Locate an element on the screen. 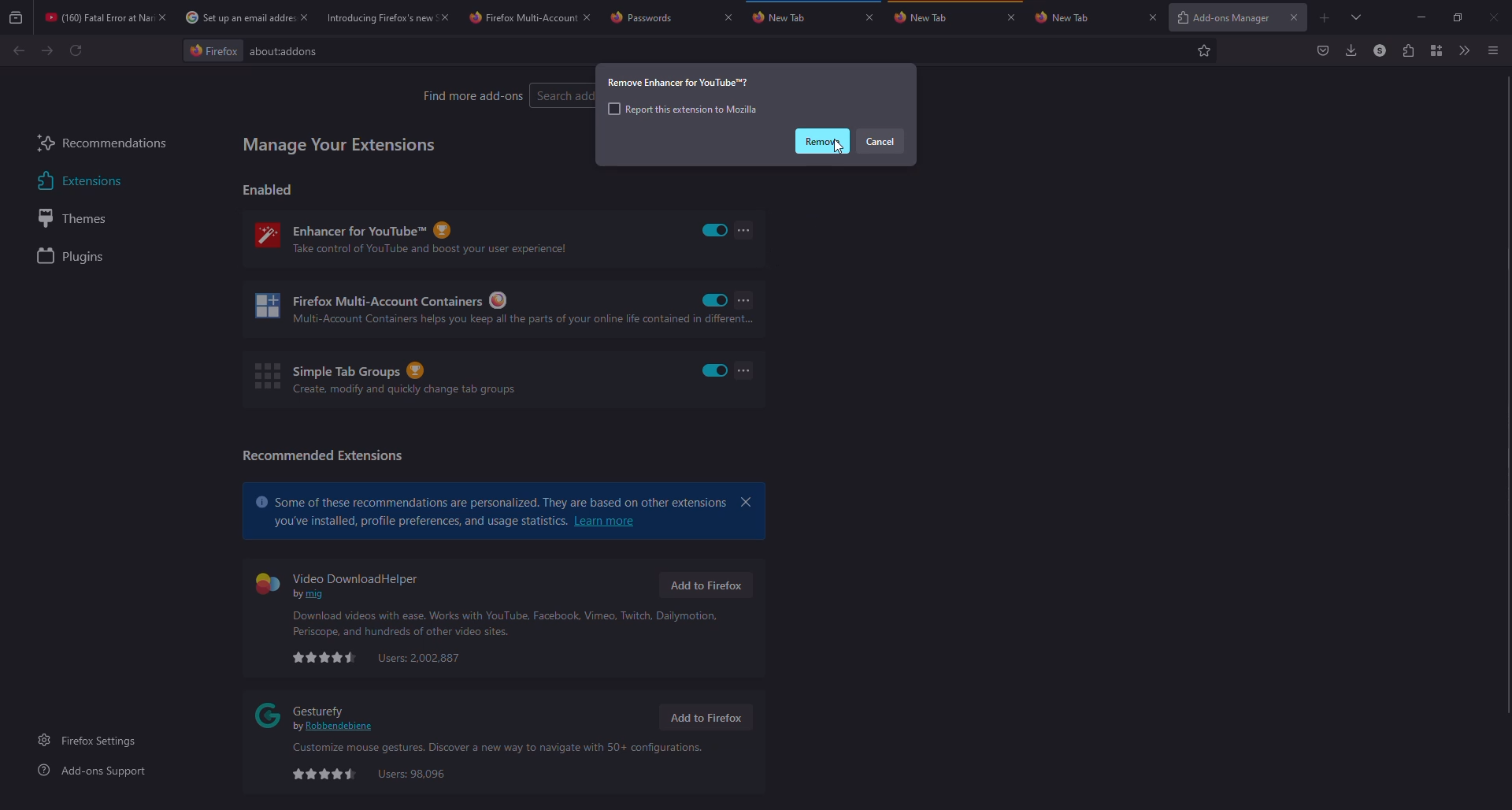 Image resolution: width=1512 pixels, height=810 pixels. video is located at coordinates (343, 583).